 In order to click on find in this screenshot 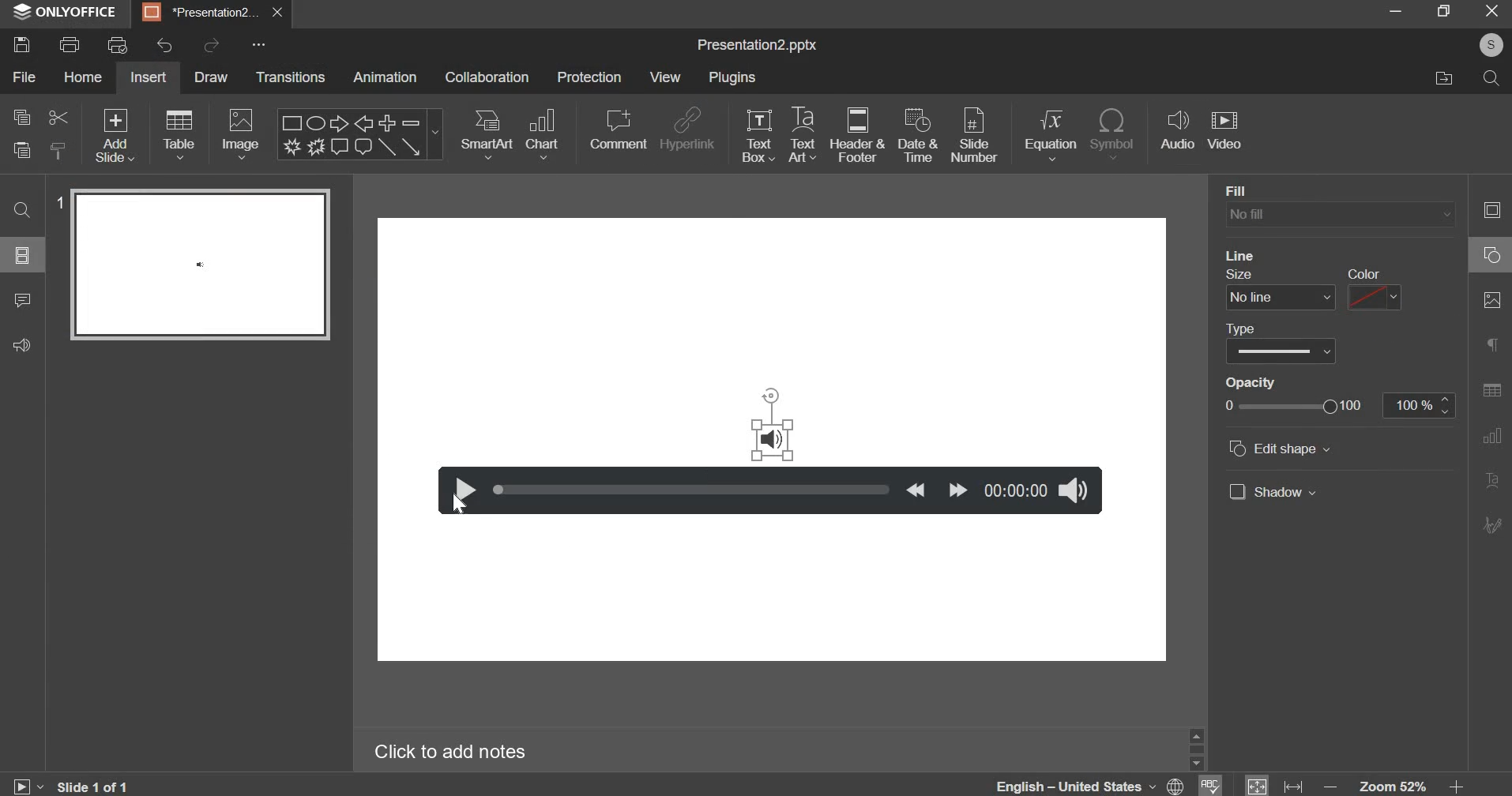, I will do `click(24, 211)`.